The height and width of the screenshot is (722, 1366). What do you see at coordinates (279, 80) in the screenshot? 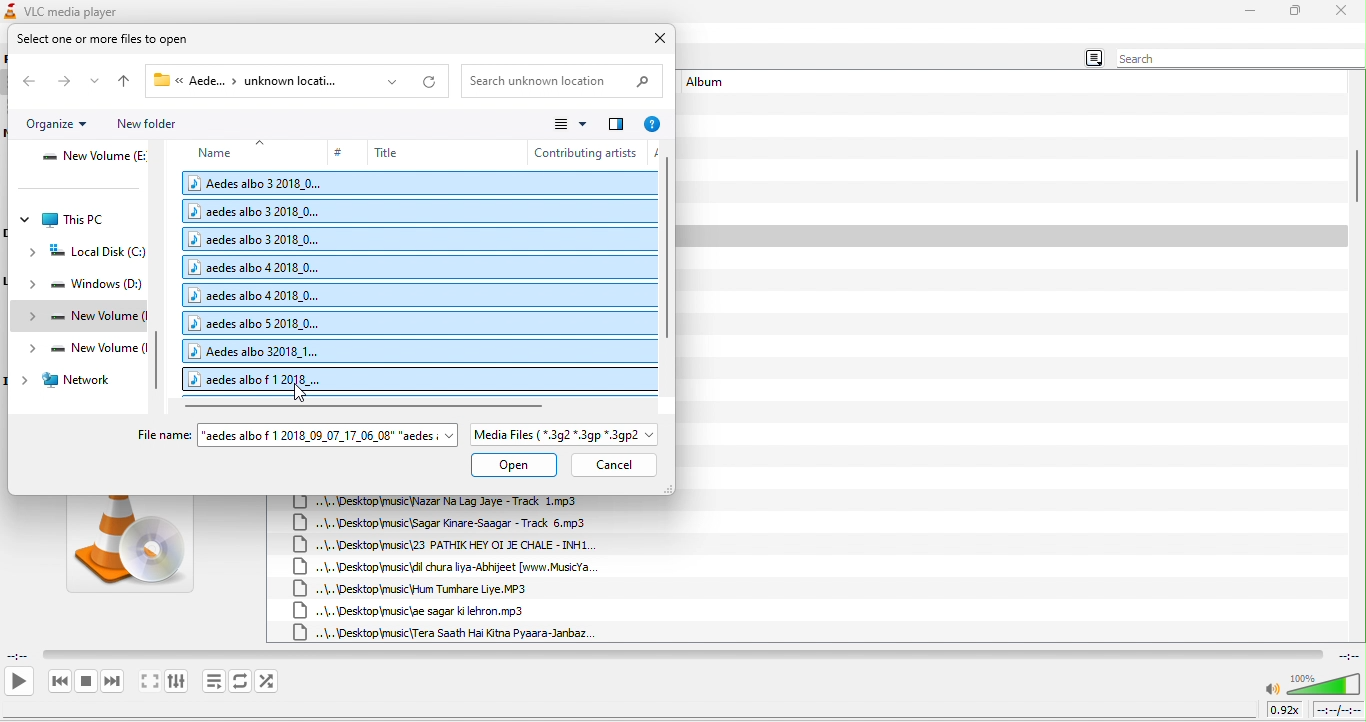
I see `« Aede... > unknown locati...` at bounding box center [279, 80].